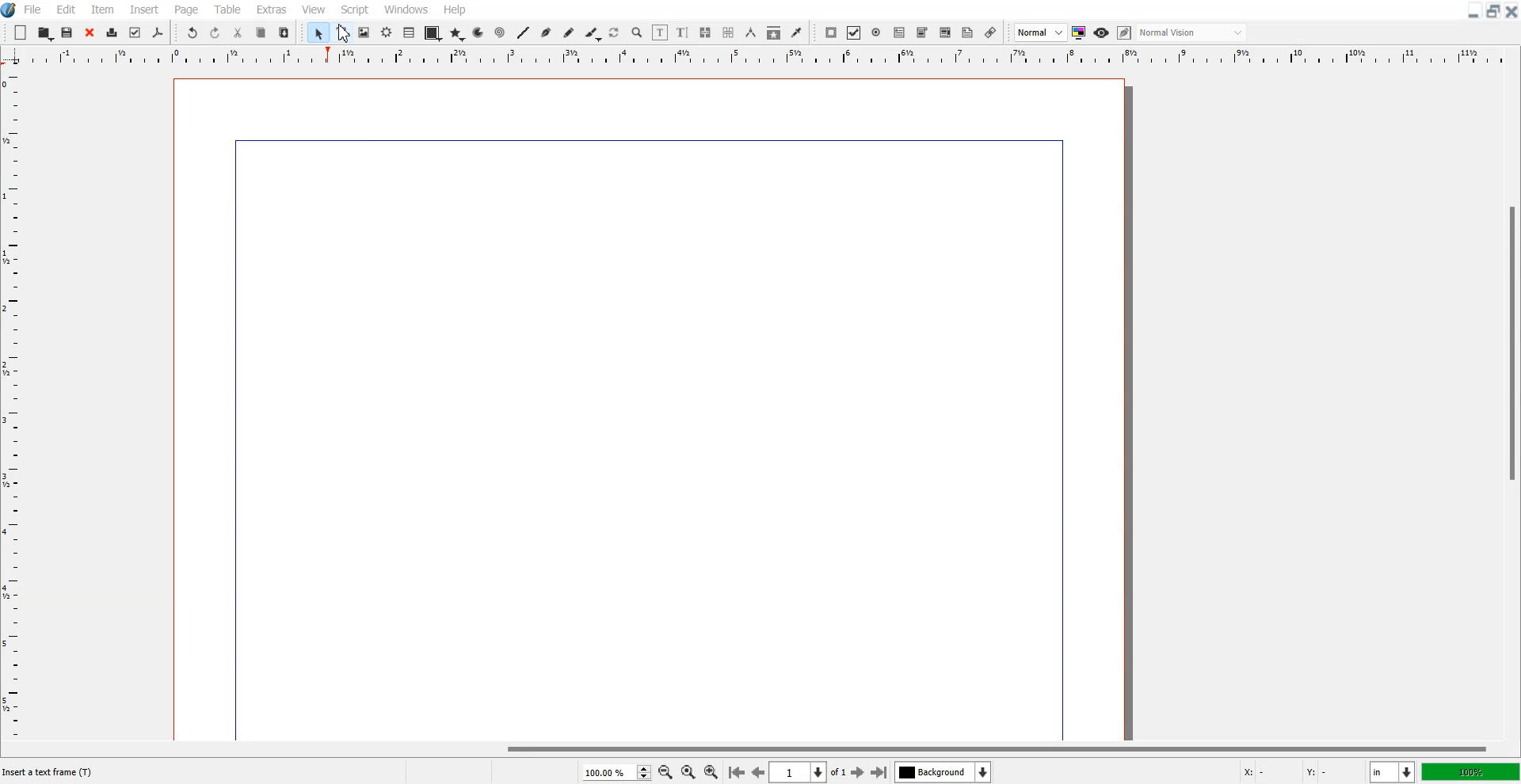  Describe the element at coordinates (1494, 10) in the screenshot. I see `Maximize` at that location.